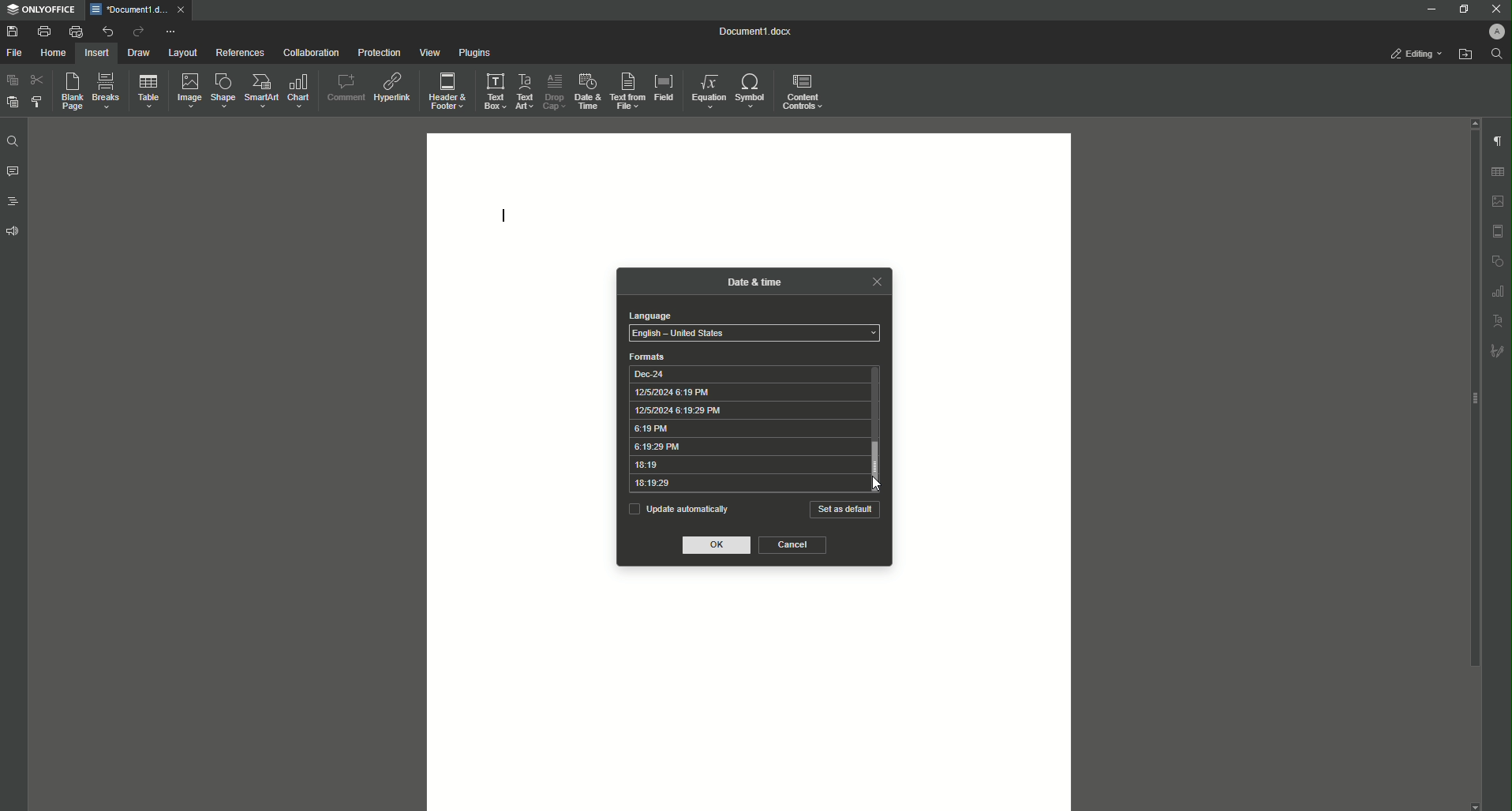 This screenshot has height=811, width=1512. I want to click on Shape, so click(220, 91).